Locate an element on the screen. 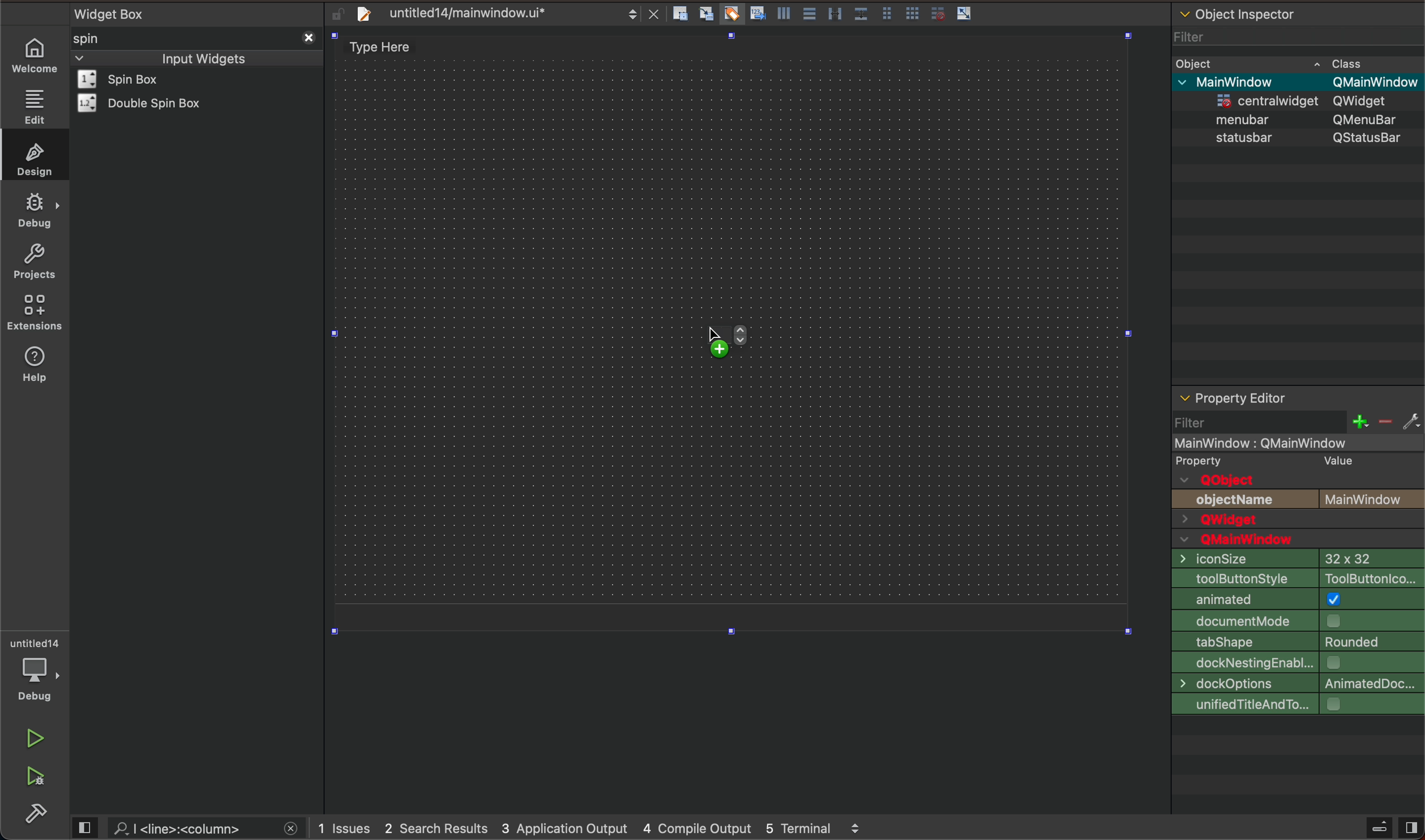 Image resolution: width=1425 pixels, height=840 pixels. layout action is located at coordinates (827, 11).